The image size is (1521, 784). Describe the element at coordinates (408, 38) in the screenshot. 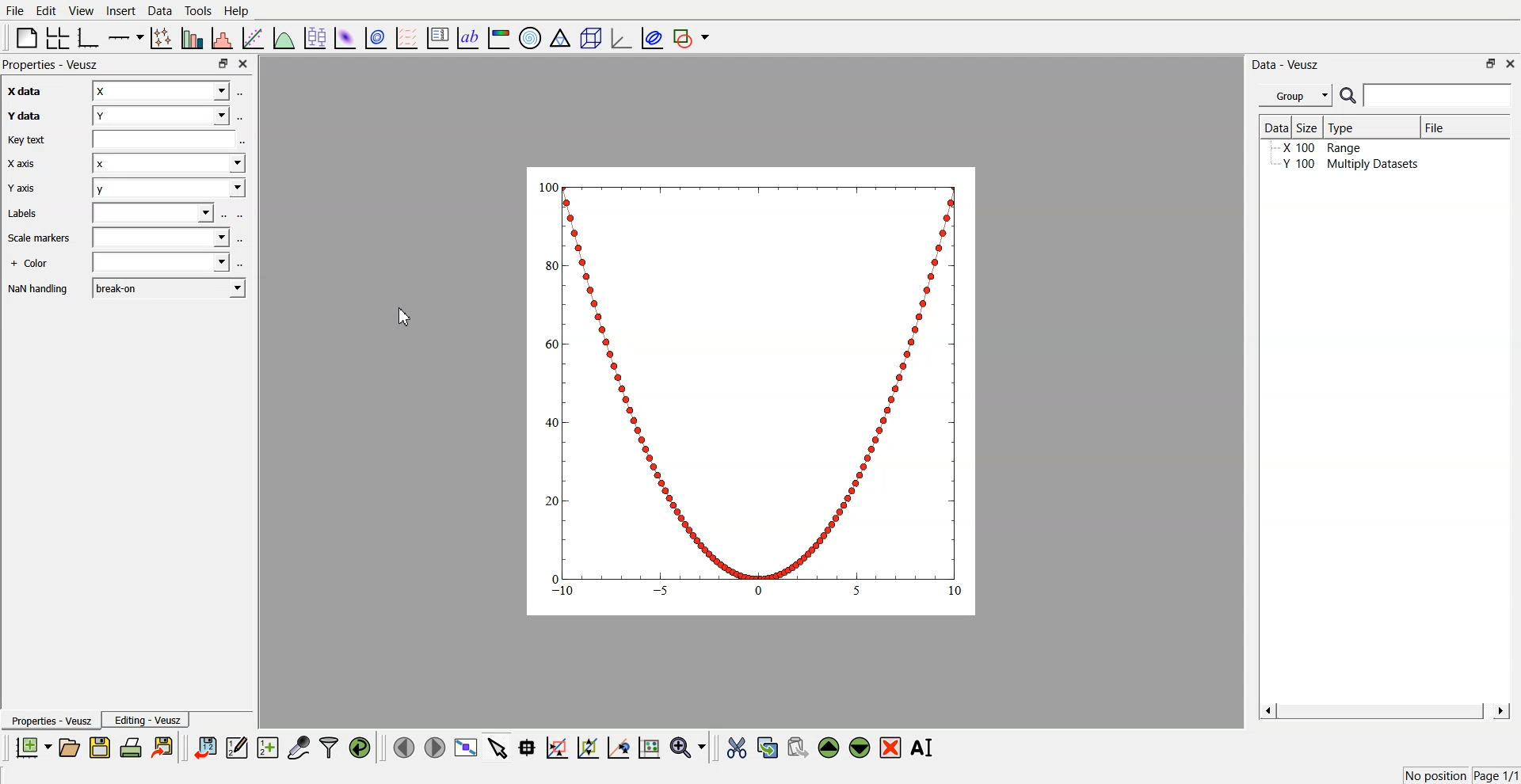

I see `plot a vector set` at that location.